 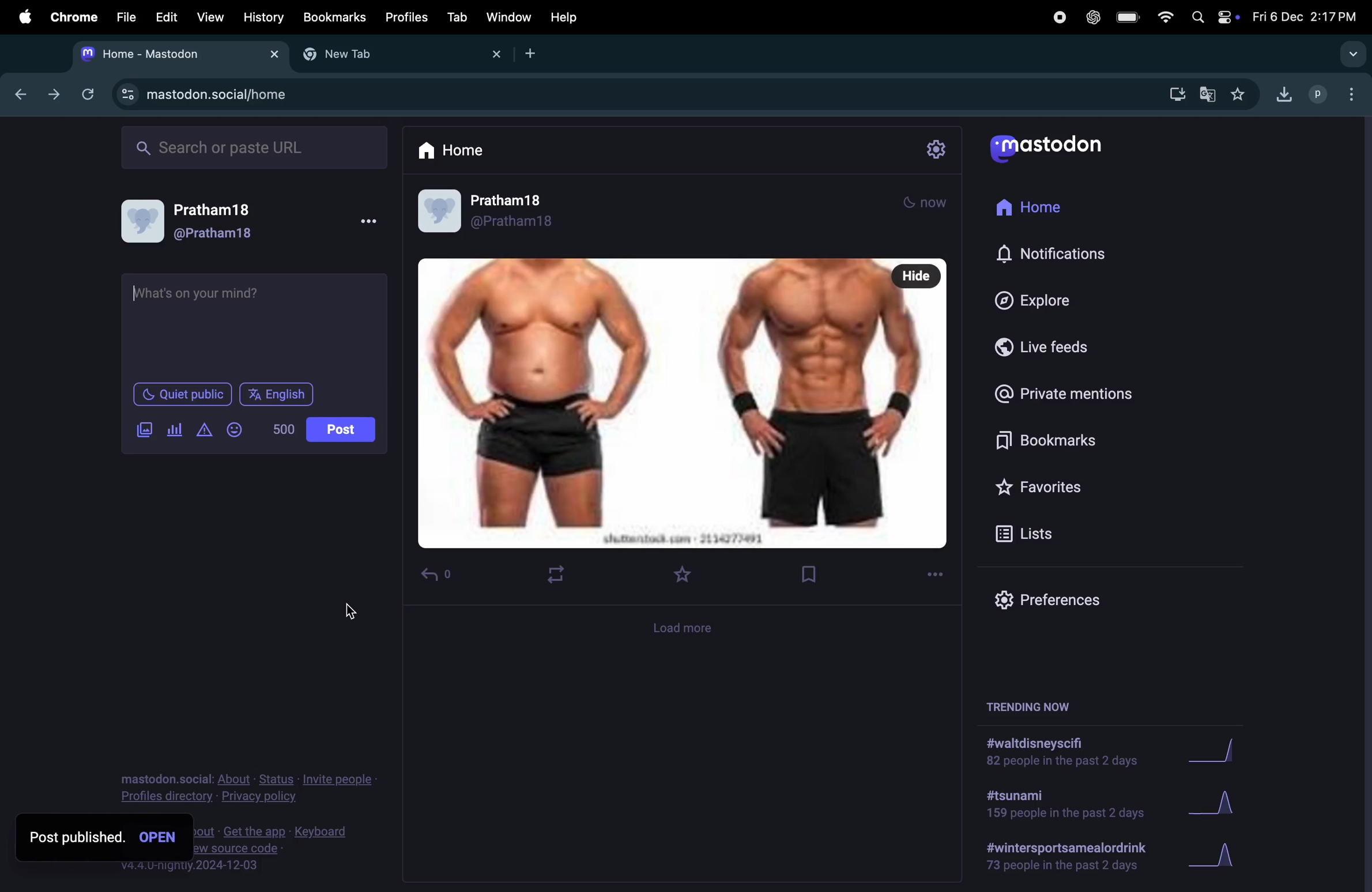 I want to click on home, so click(x=455, y=151).